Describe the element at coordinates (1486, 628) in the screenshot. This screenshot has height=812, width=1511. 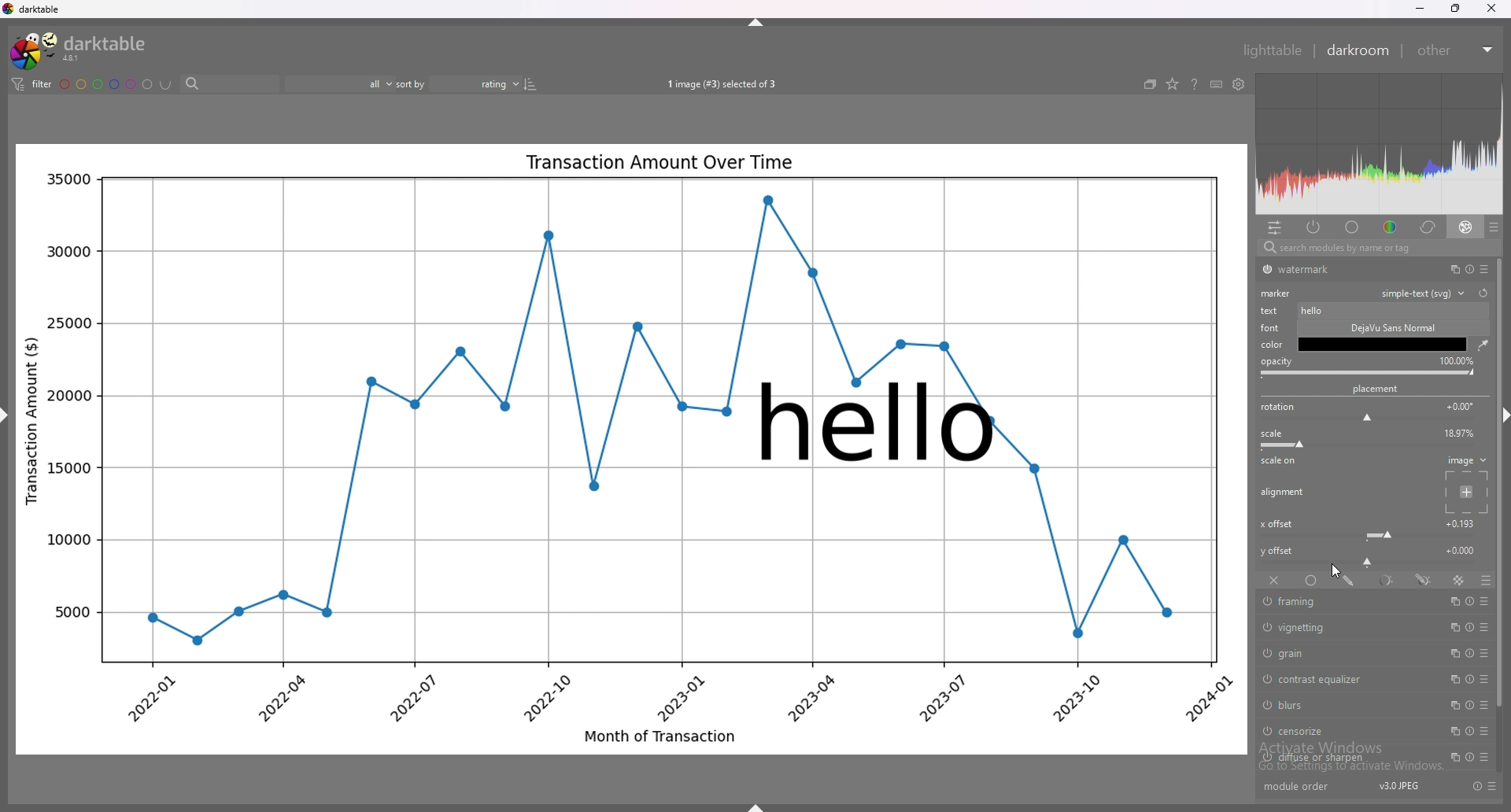
I see `presets` at that location.